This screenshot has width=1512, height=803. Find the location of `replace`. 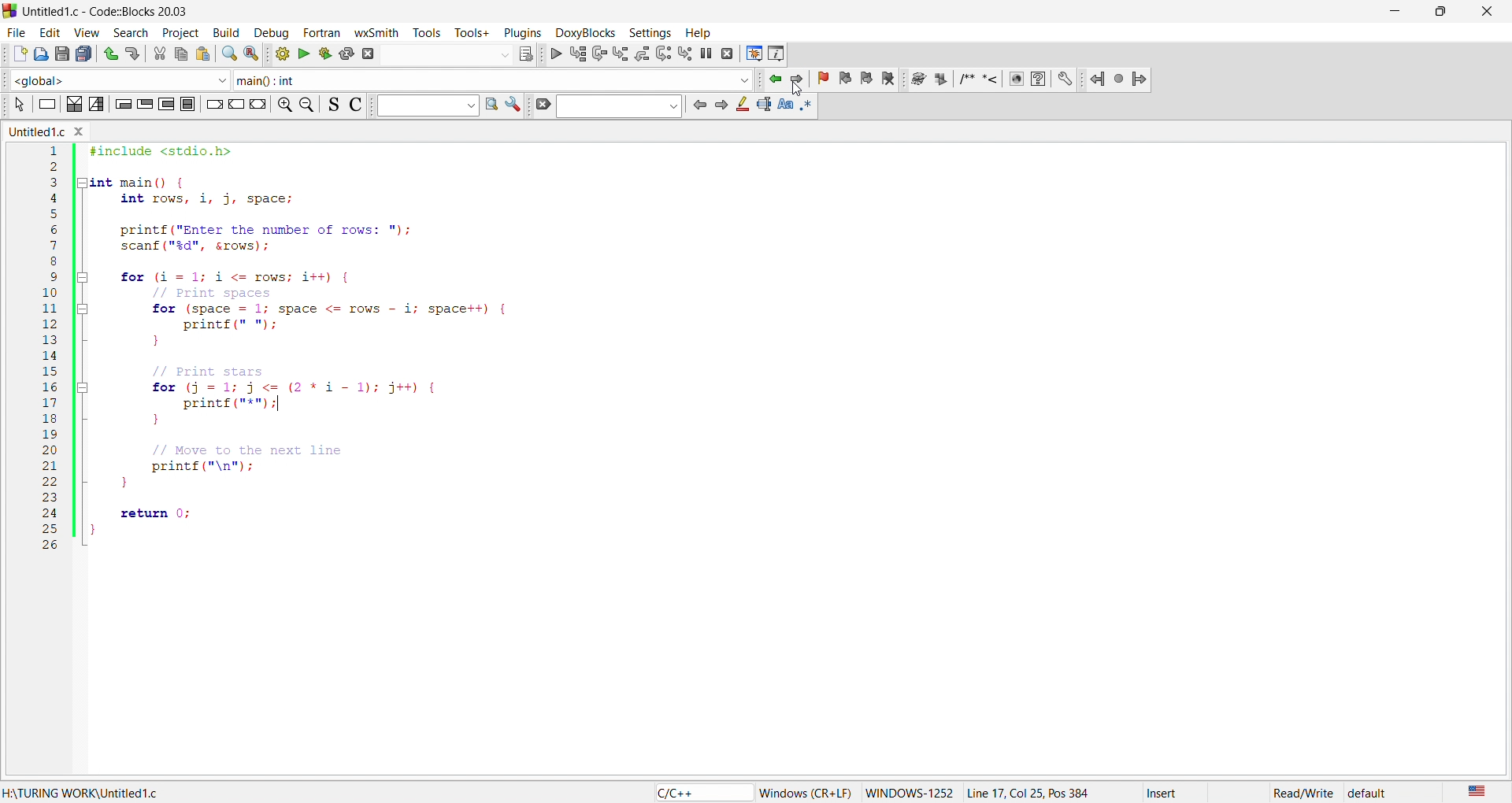

replace is located at coordinates (250, 54).